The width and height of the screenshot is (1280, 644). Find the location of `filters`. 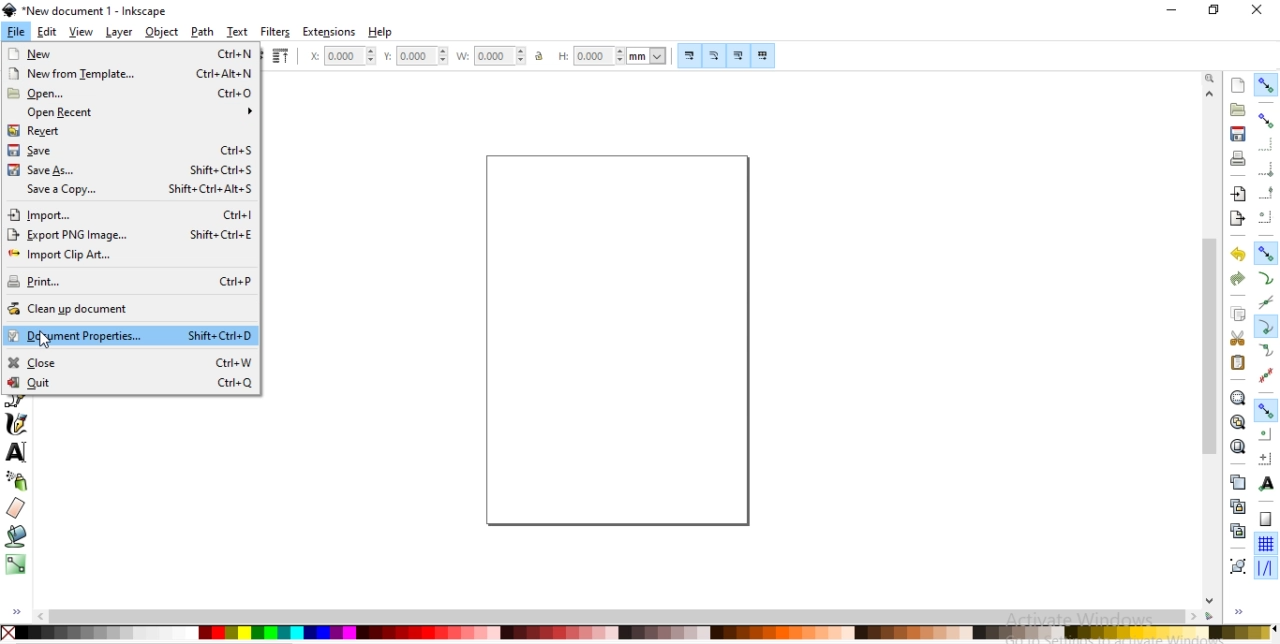

filters is located at coordinates (276, 32).